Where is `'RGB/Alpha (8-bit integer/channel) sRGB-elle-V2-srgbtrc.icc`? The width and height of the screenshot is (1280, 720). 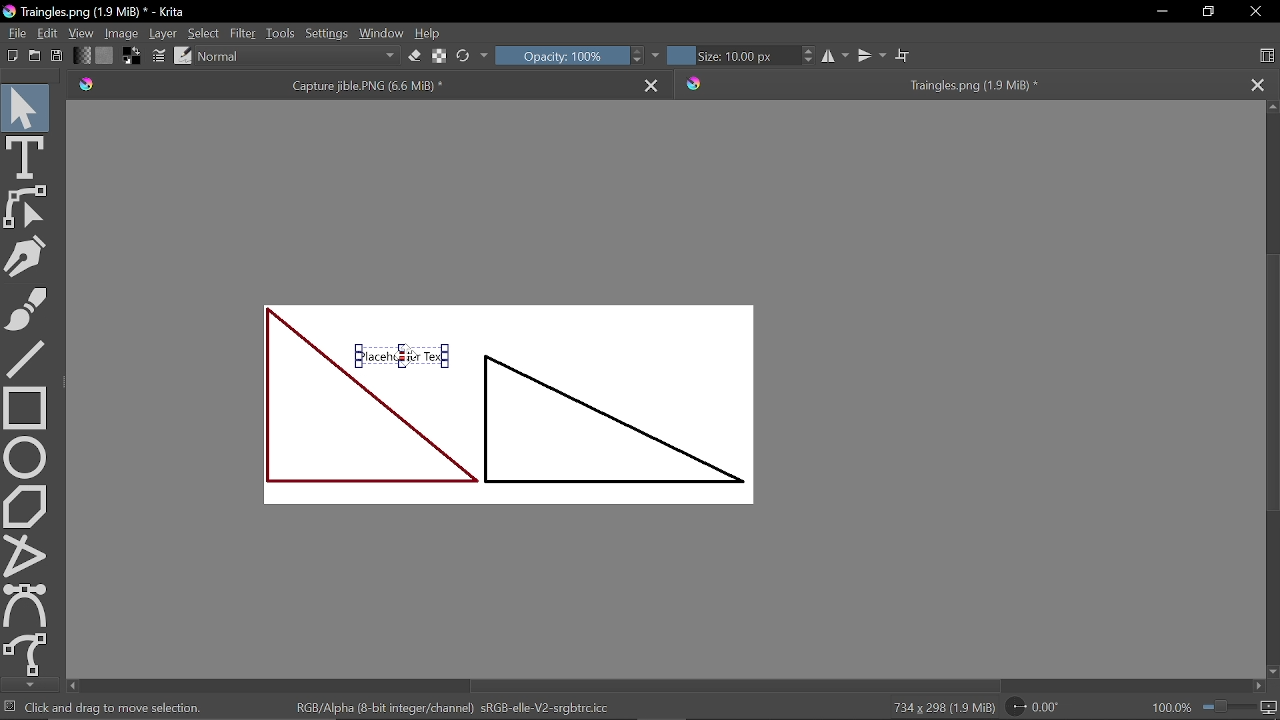 'RGB/Alpha (8-bit integer/channel) sRGB-elle-V2-srgbtrc.icc is located at coordinates (458, 707).